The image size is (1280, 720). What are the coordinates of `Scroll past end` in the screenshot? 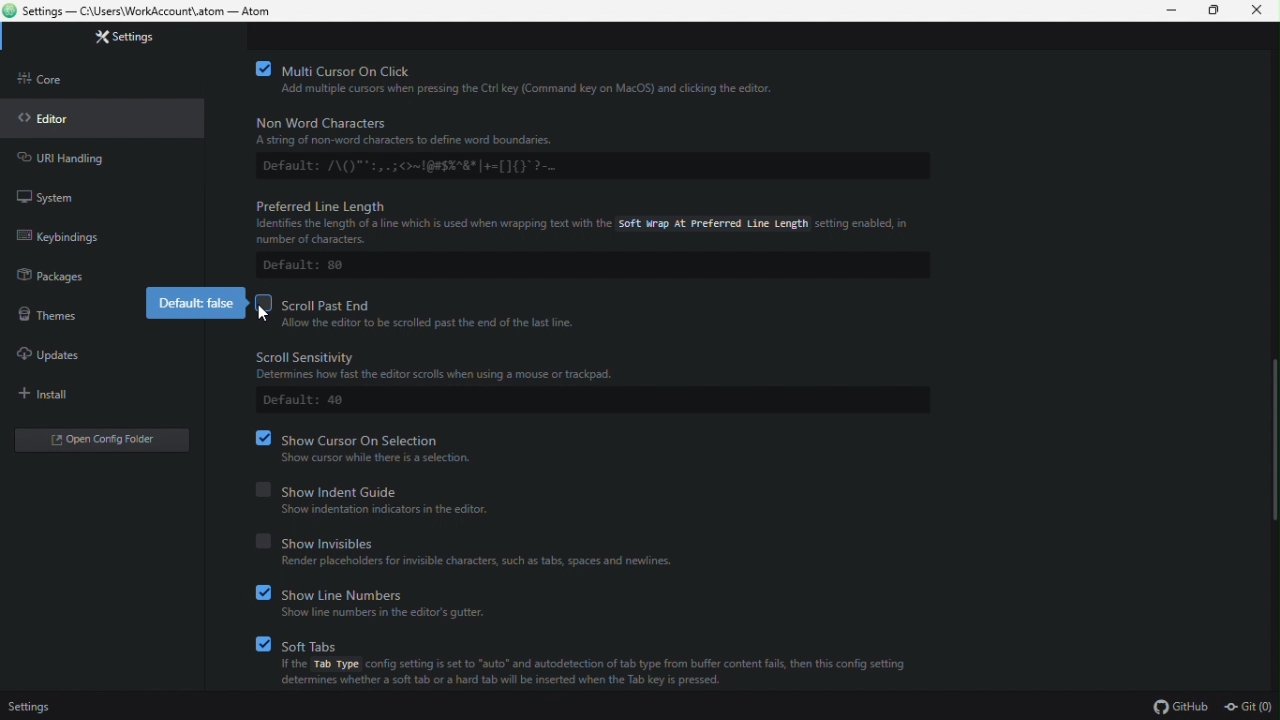 It's located at (423, 303).